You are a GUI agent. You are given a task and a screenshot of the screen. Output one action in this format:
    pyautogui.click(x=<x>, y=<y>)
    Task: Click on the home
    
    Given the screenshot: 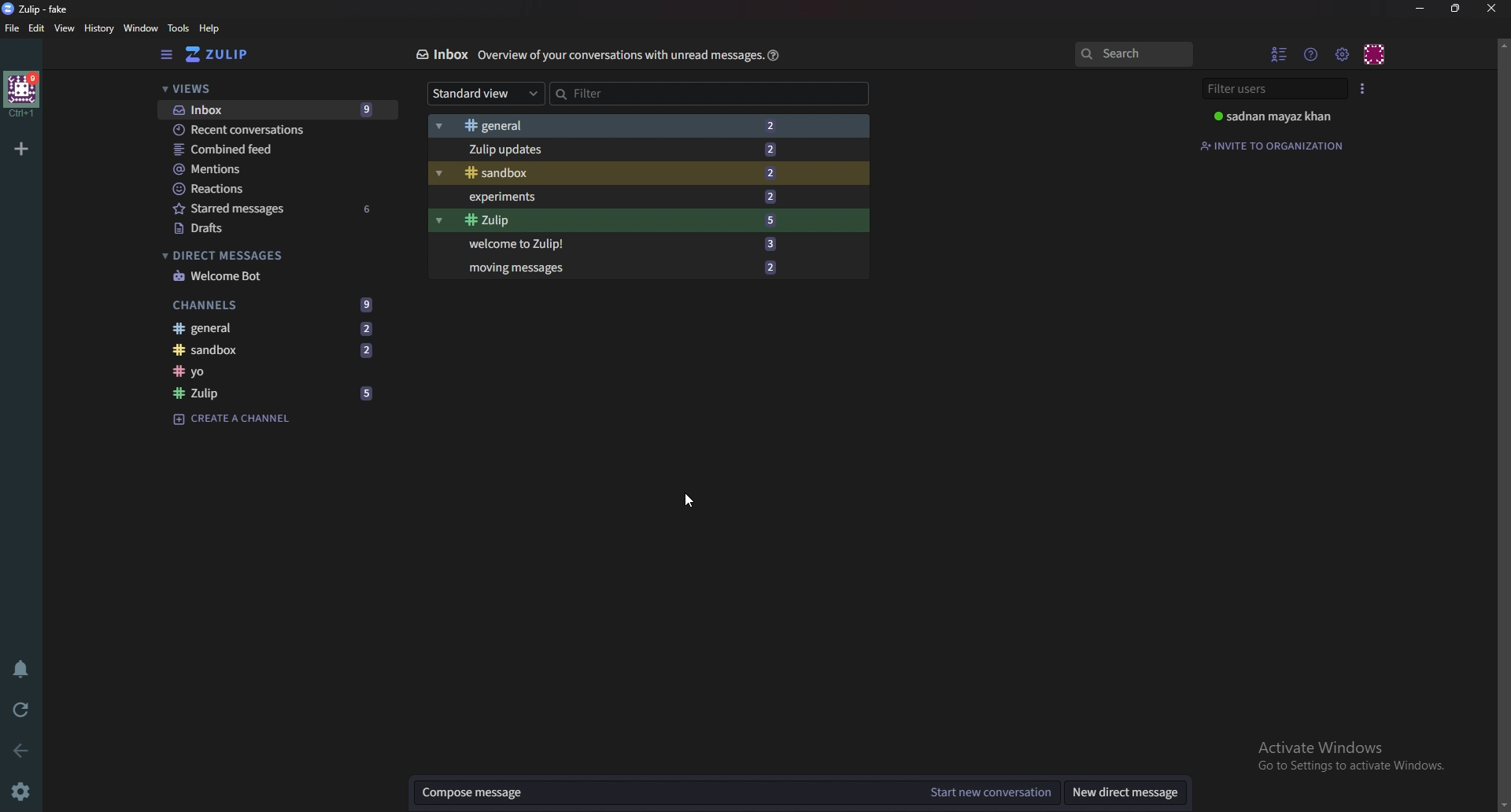 What is the action you would take?
    pyautogui.click(x=23, y=95)
    